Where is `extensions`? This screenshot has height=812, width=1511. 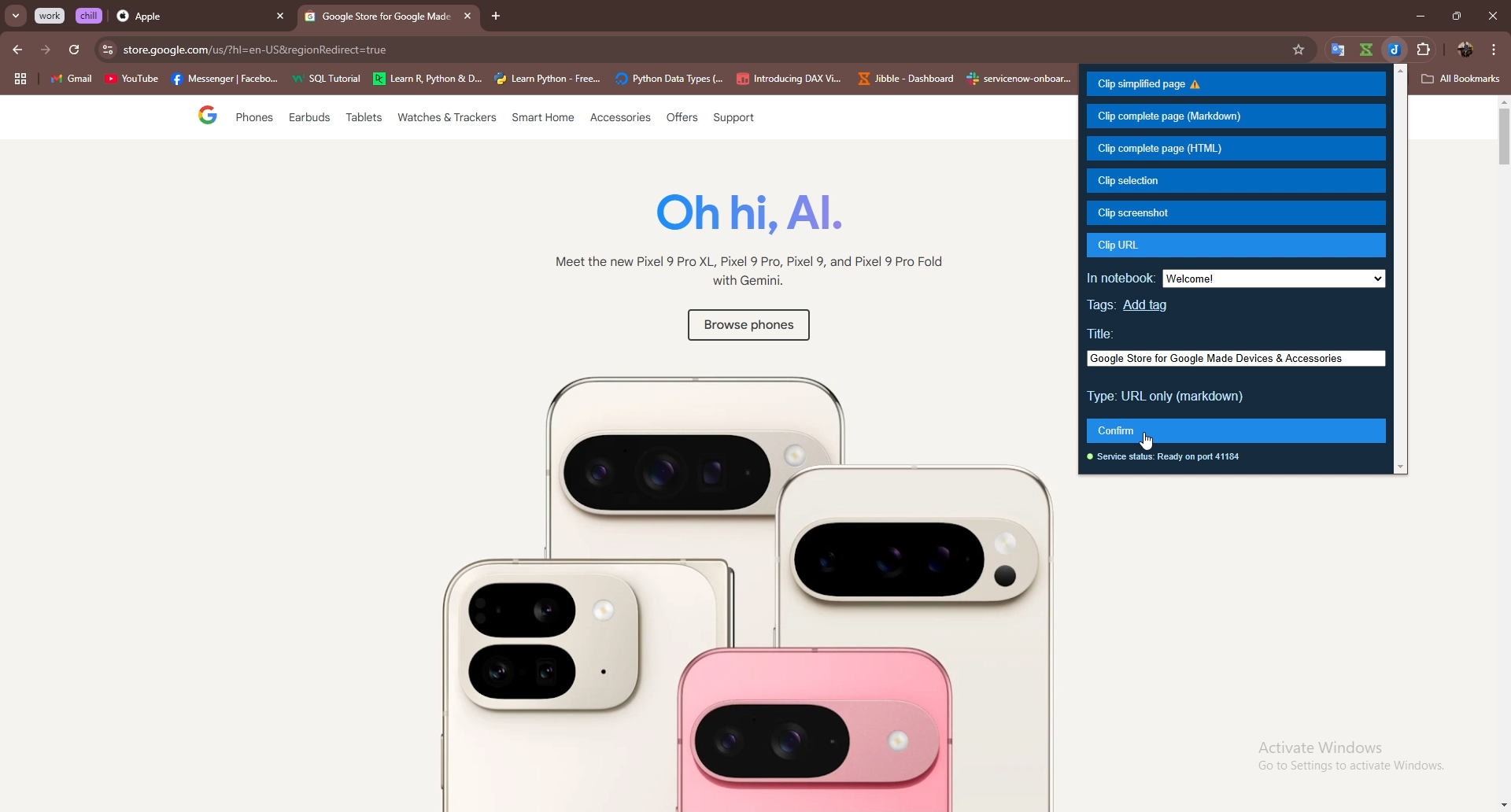
extensions is located at coordinates (1424, 50).